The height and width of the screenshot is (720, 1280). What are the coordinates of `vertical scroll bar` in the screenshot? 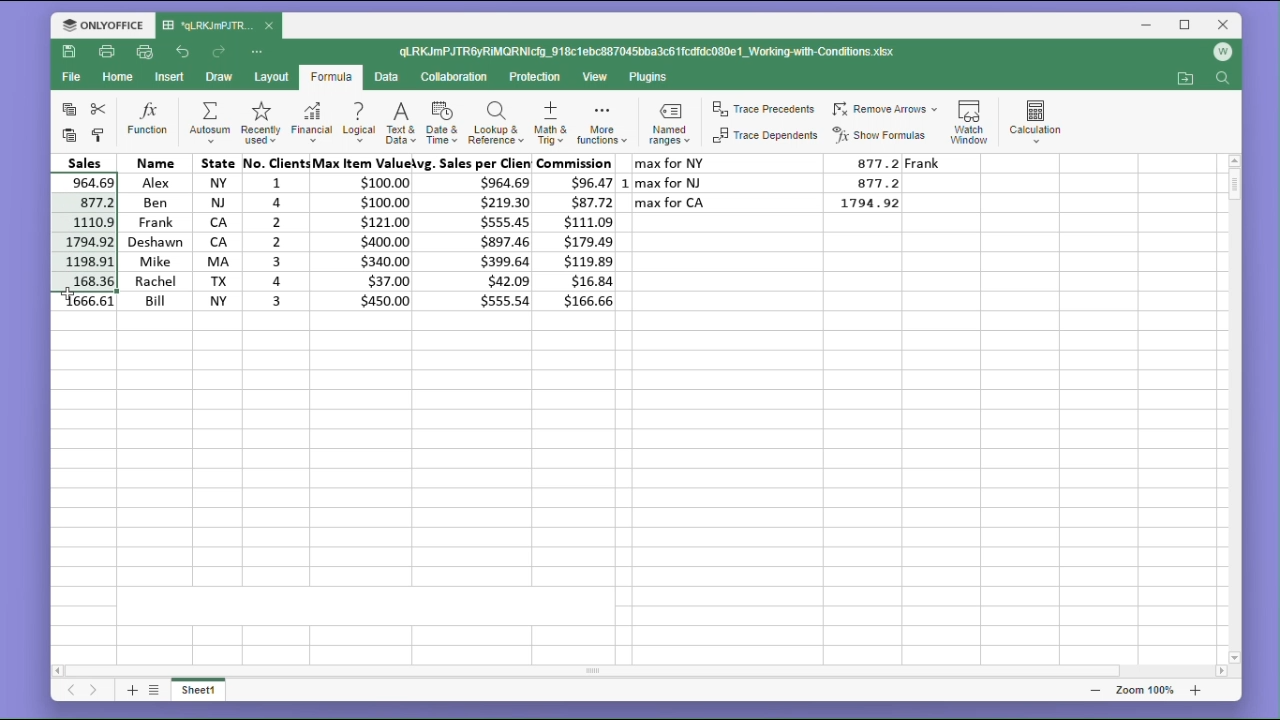 It's located at (1234, 409).